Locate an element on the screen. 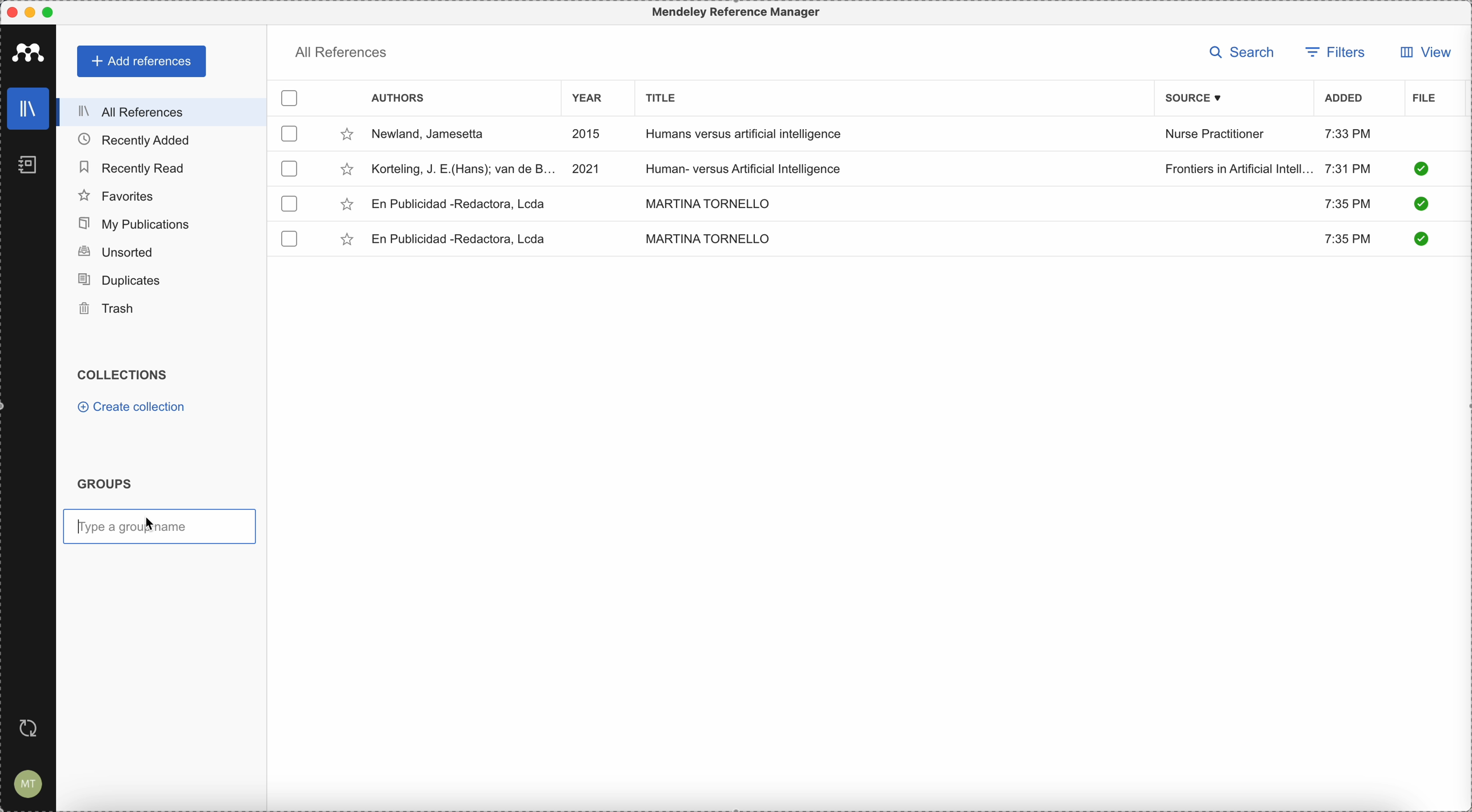 This screenshot has height=812, width=1472. En Publicidad-Redactora, Lcda is located at coordinates (463, 239).